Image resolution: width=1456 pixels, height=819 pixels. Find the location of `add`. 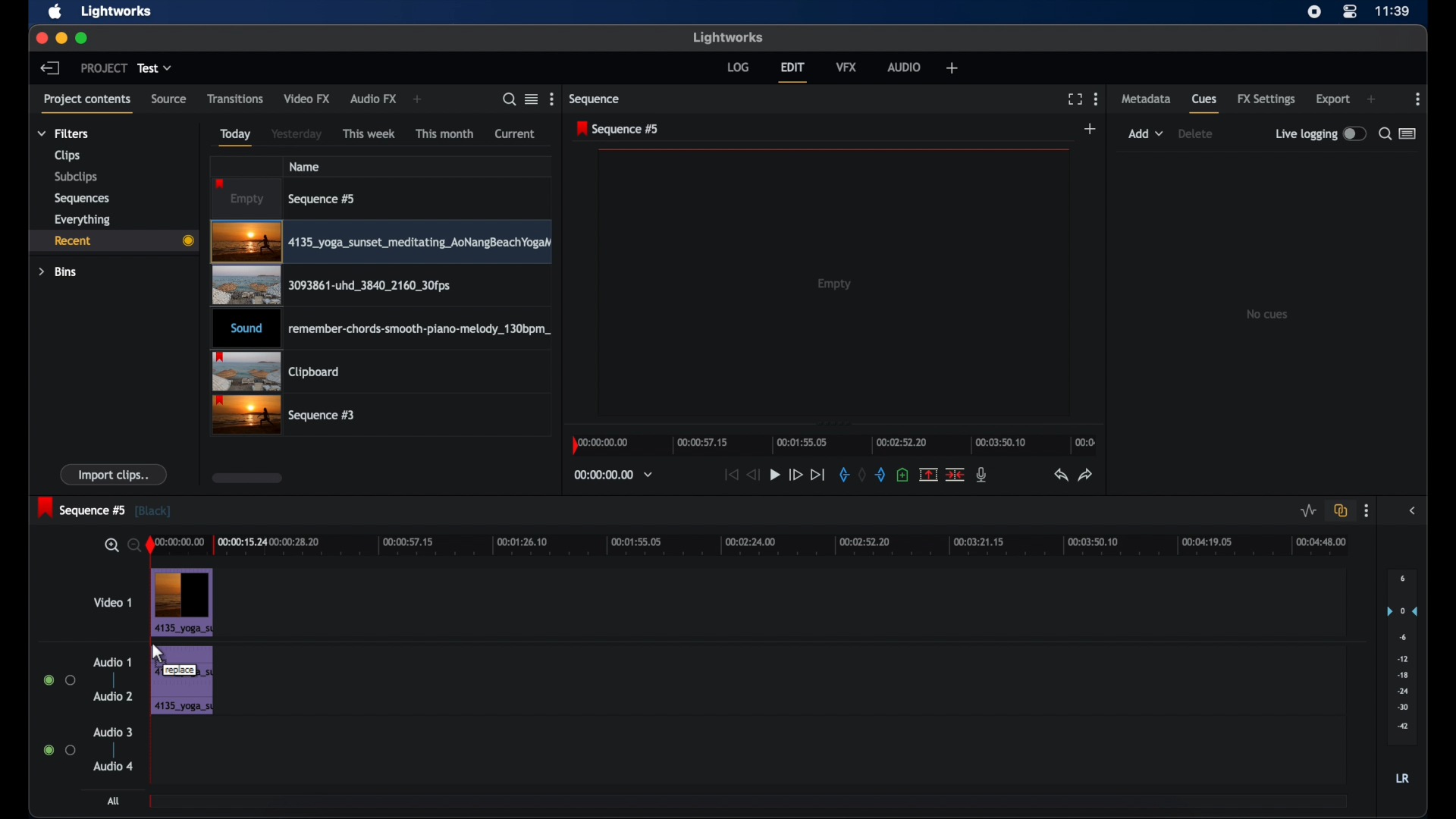

add is located at coordinates (1371, 99).